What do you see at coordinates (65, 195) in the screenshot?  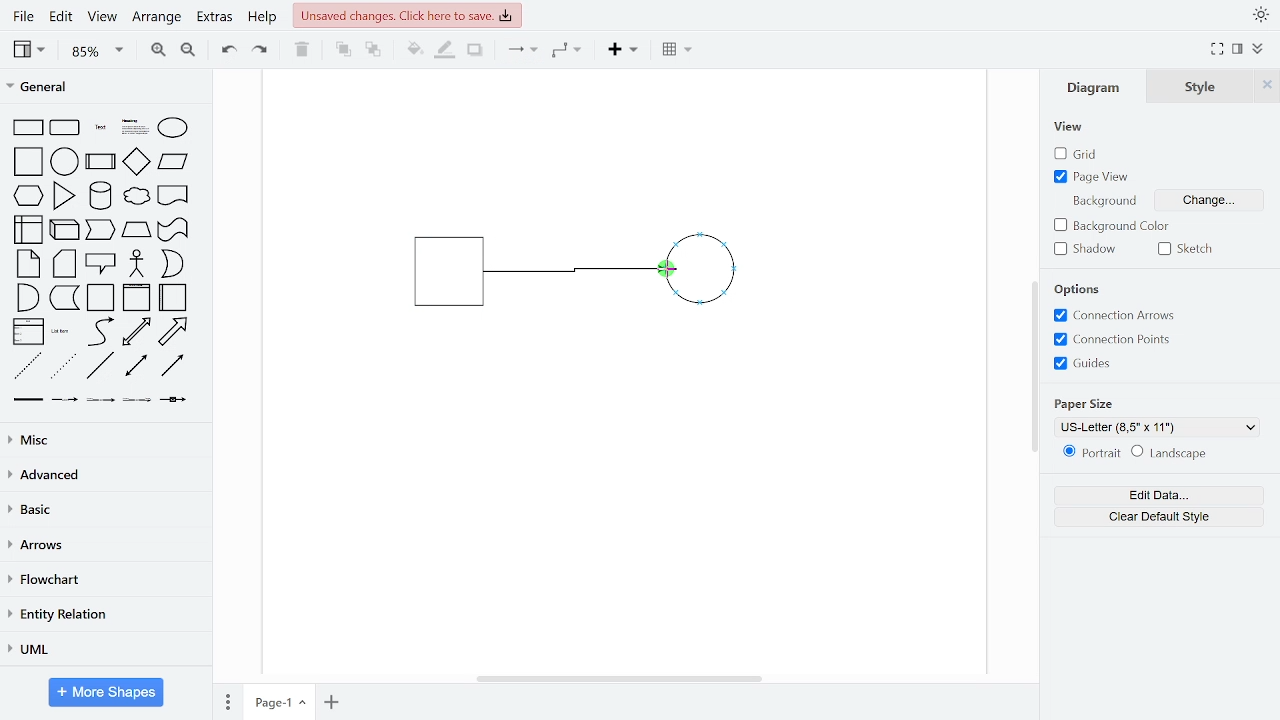 I see `triangle` at bounding box center [65, 195].